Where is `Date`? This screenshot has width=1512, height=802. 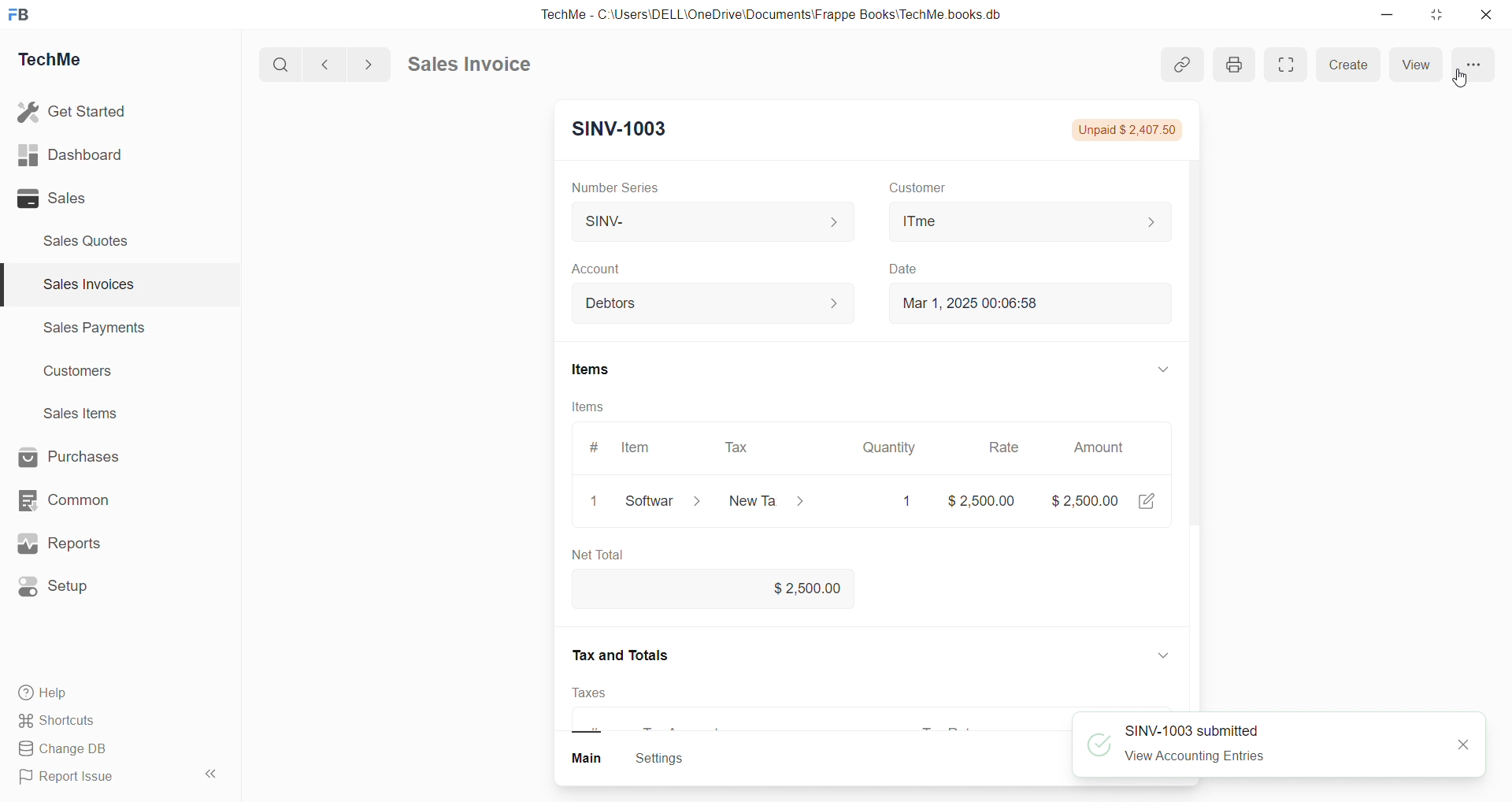
Date is located at coordinates (924, 268).